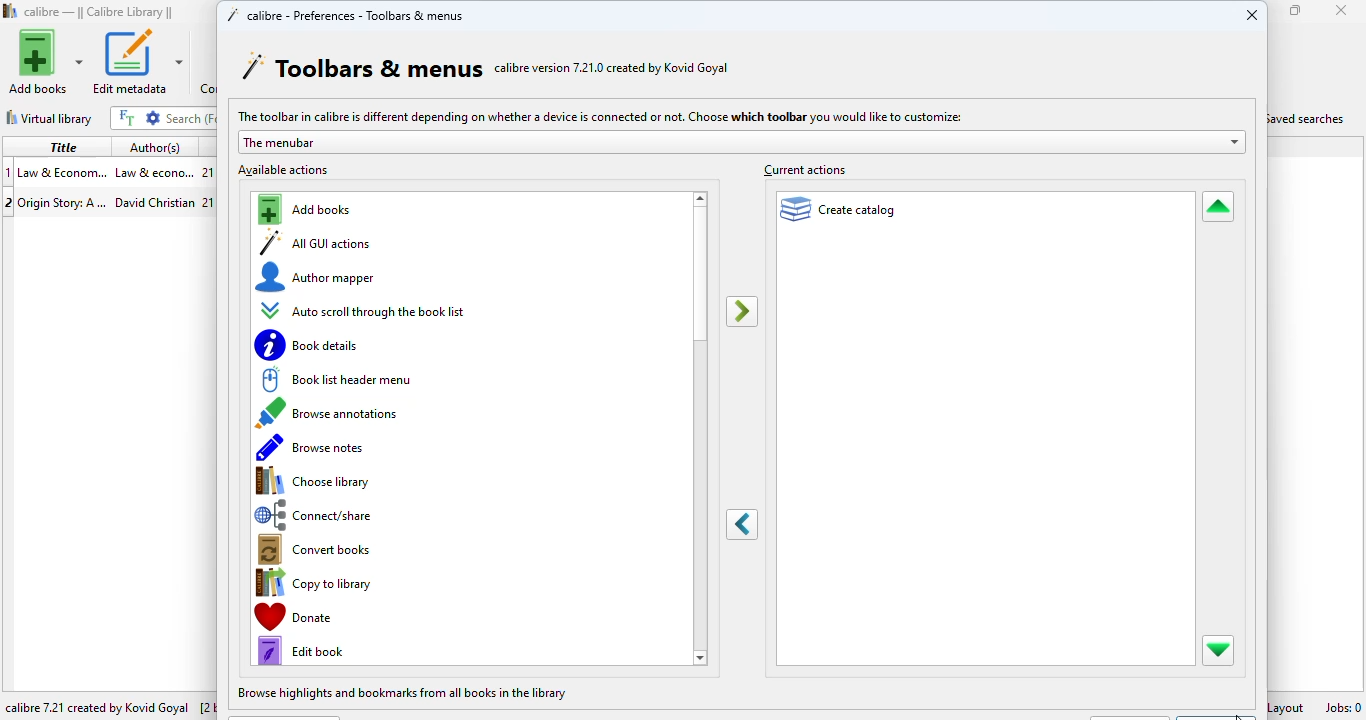 The width and height of the screenshot is (1366, 720). I want to click on calibre version 7.21.0 created by Kovid Goyal, so click(612, 67).